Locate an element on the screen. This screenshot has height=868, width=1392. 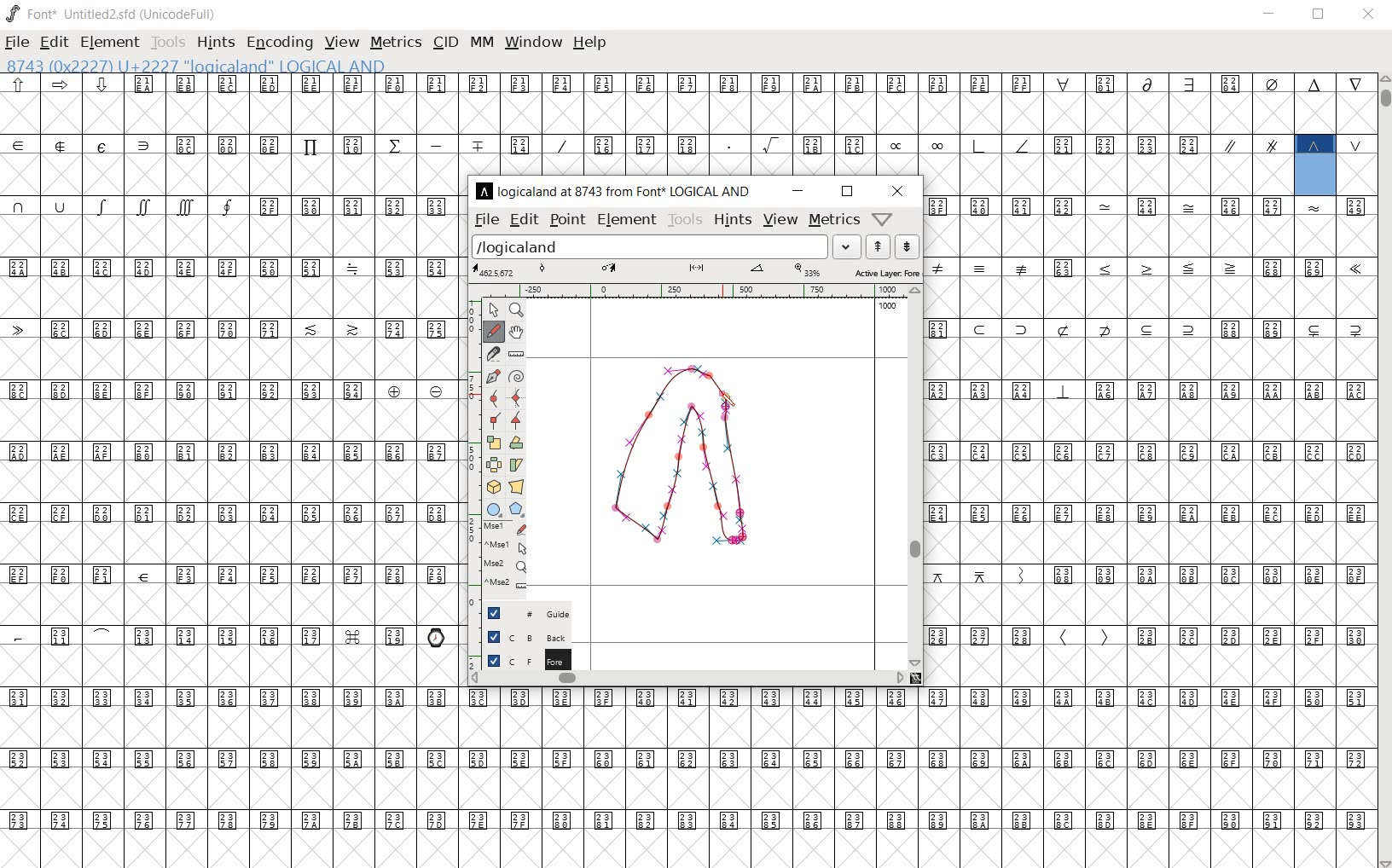
logicaland at 8743 from LOGICAL AND is located at coordinates (615, 190).